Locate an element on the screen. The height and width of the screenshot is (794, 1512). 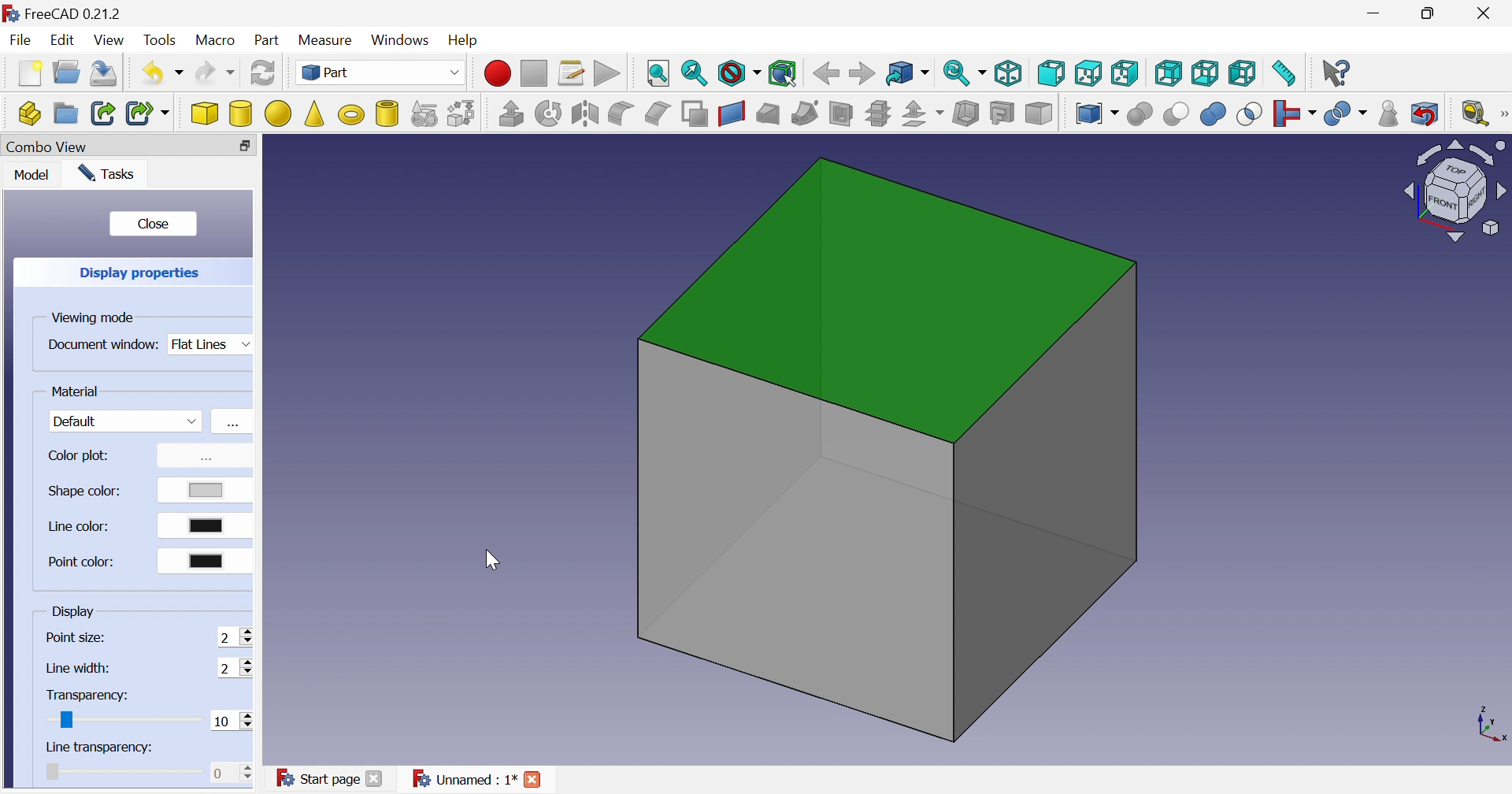
Document window: is located at coordinates (102, 347).